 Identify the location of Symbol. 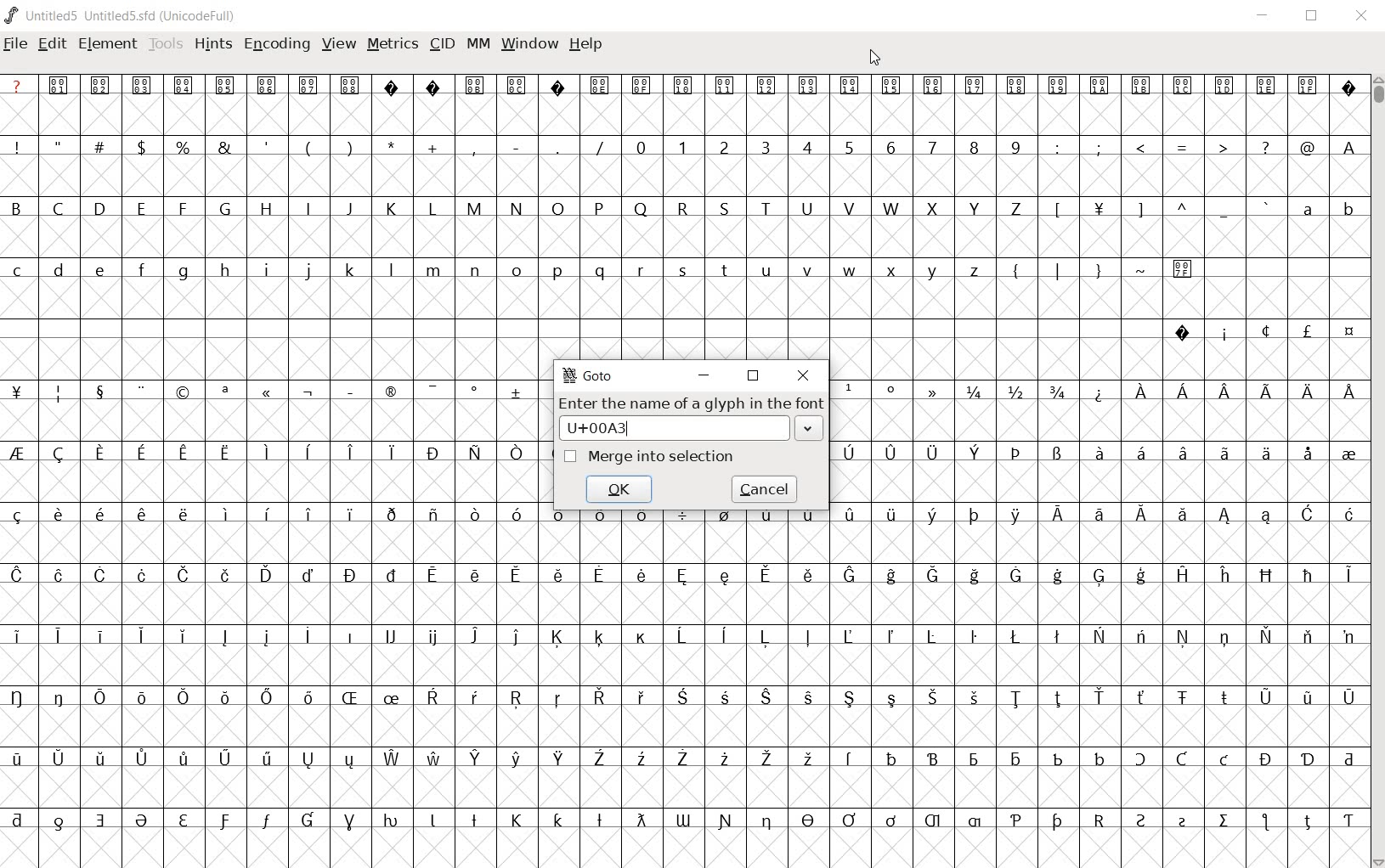
(473, 576).